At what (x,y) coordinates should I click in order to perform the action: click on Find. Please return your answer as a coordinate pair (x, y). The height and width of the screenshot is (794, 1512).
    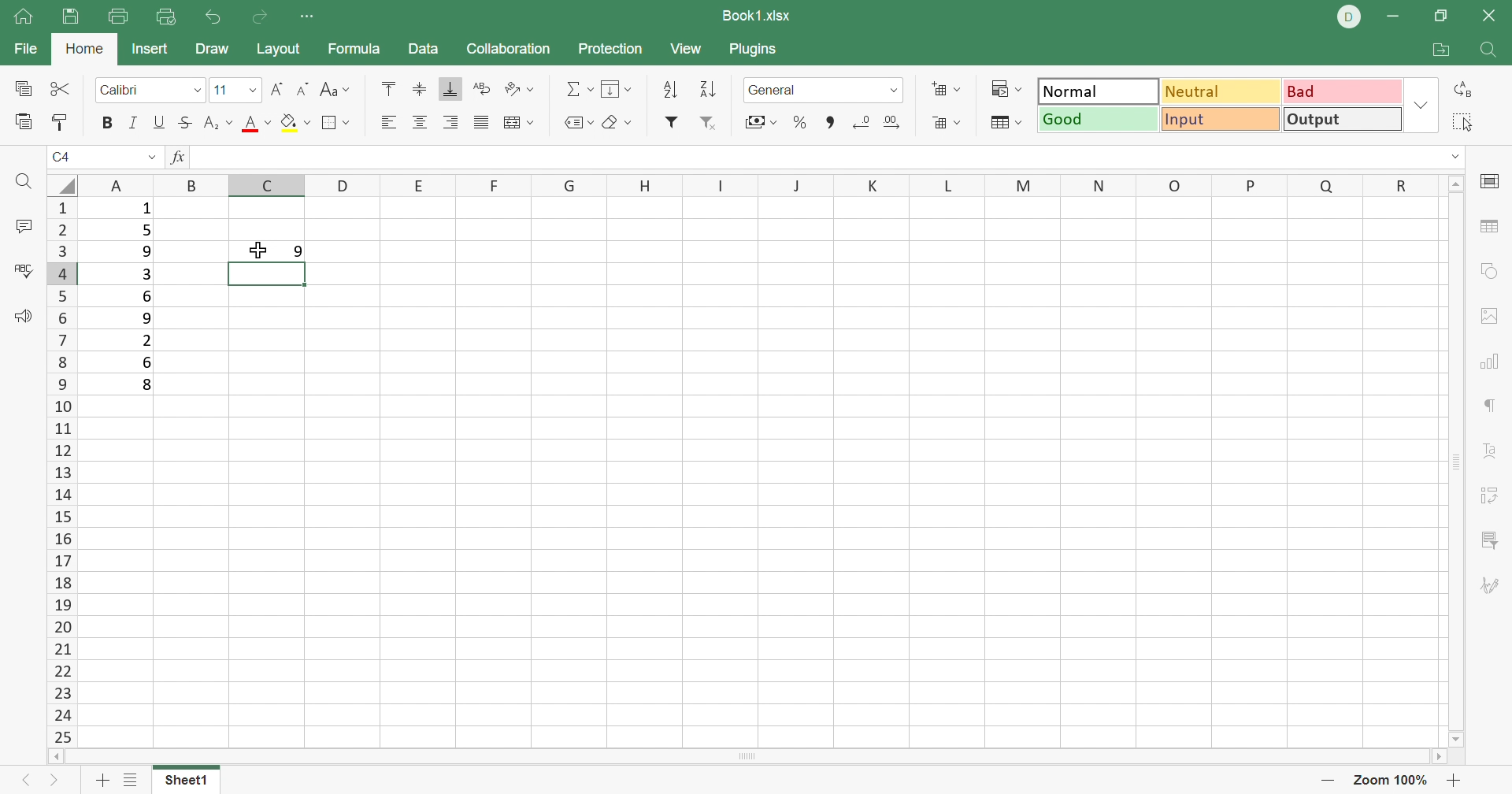
    Looking at the image, I should click on (1492, 52).